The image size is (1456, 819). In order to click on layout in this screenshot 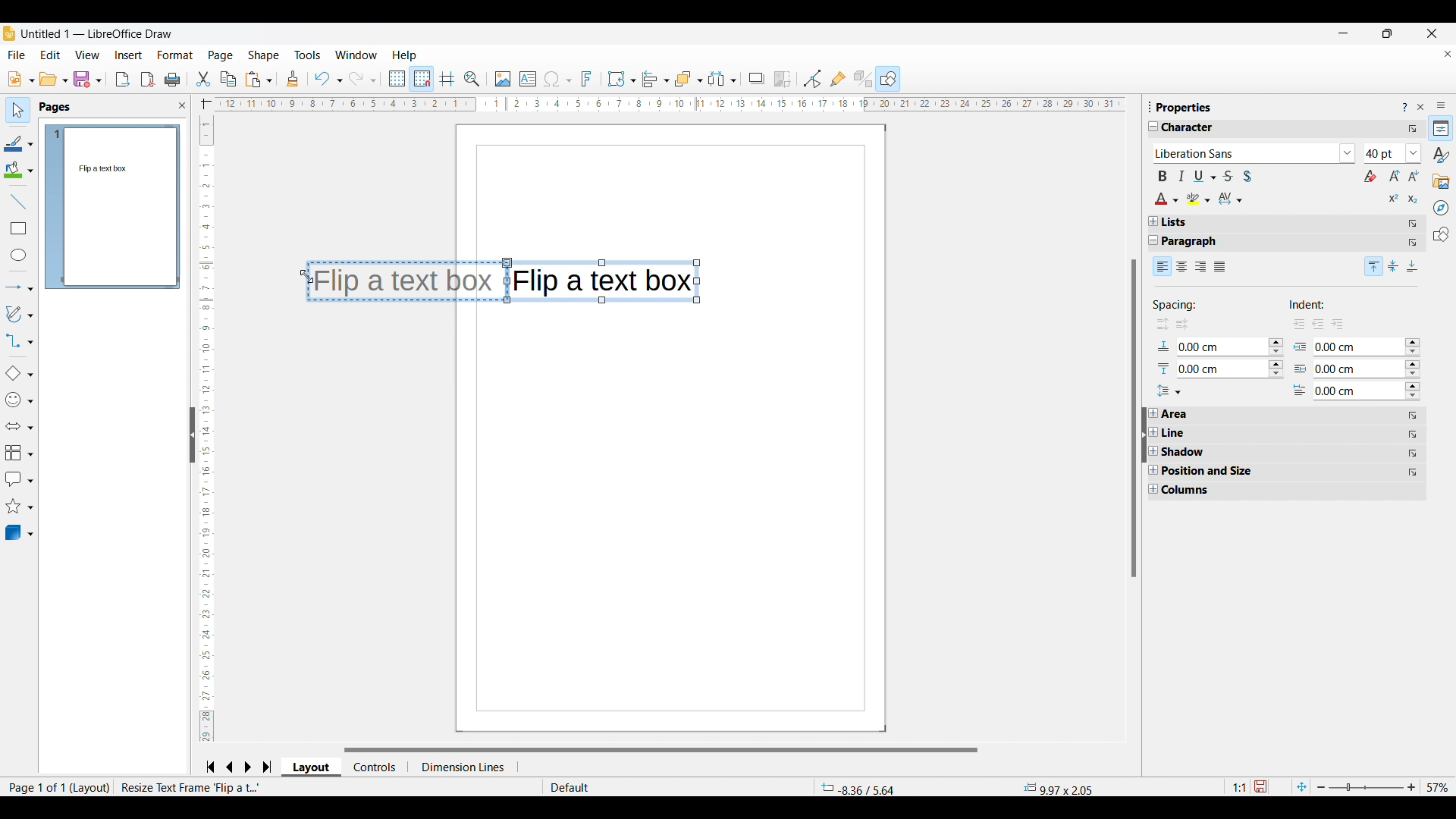, I will do `click(314, 766)`.